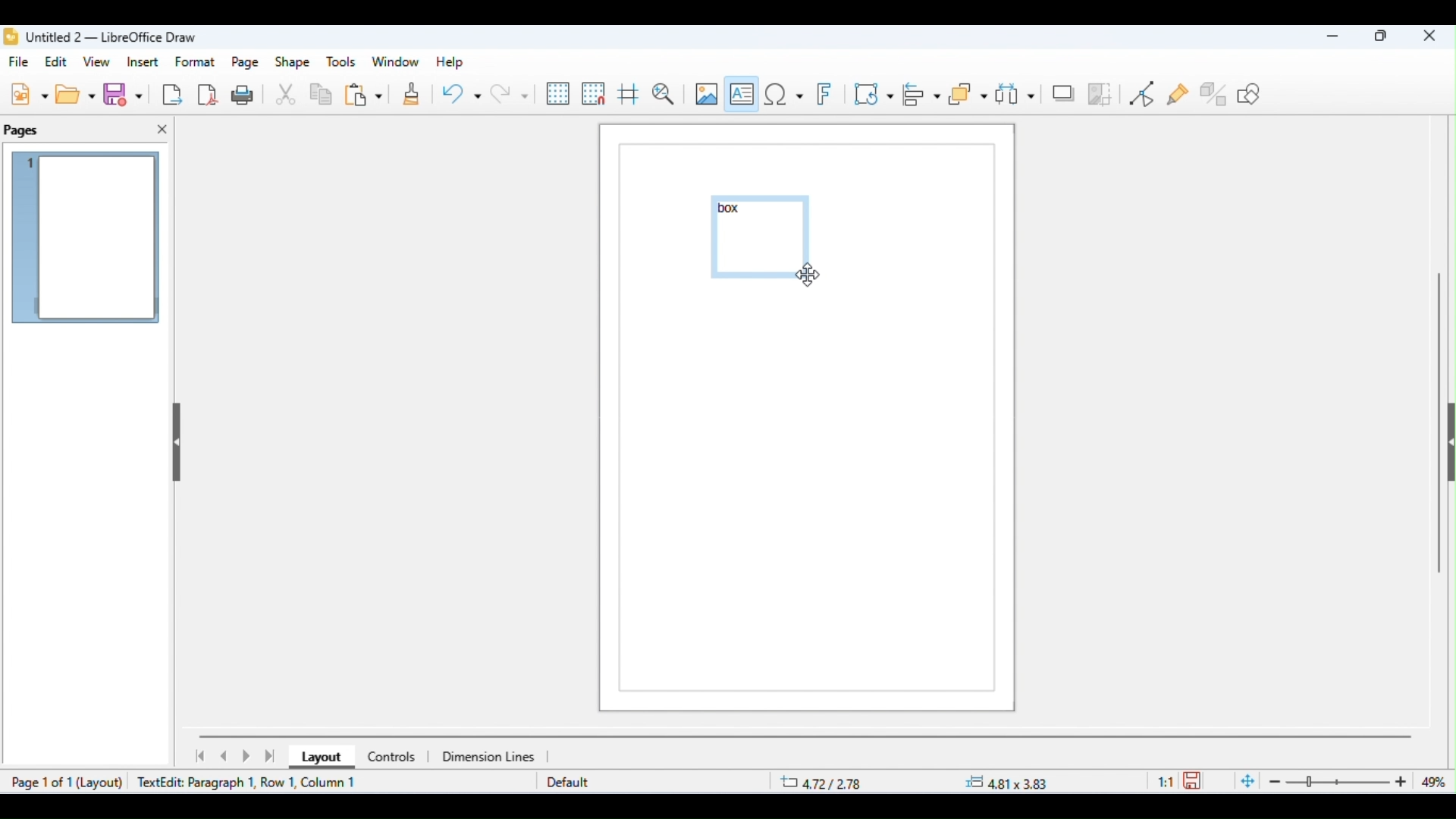 The image size is (1456, 819). What do you see at coordinates (246, 63) in the screenshot?
I see `page` at bounding box center [246, 63].